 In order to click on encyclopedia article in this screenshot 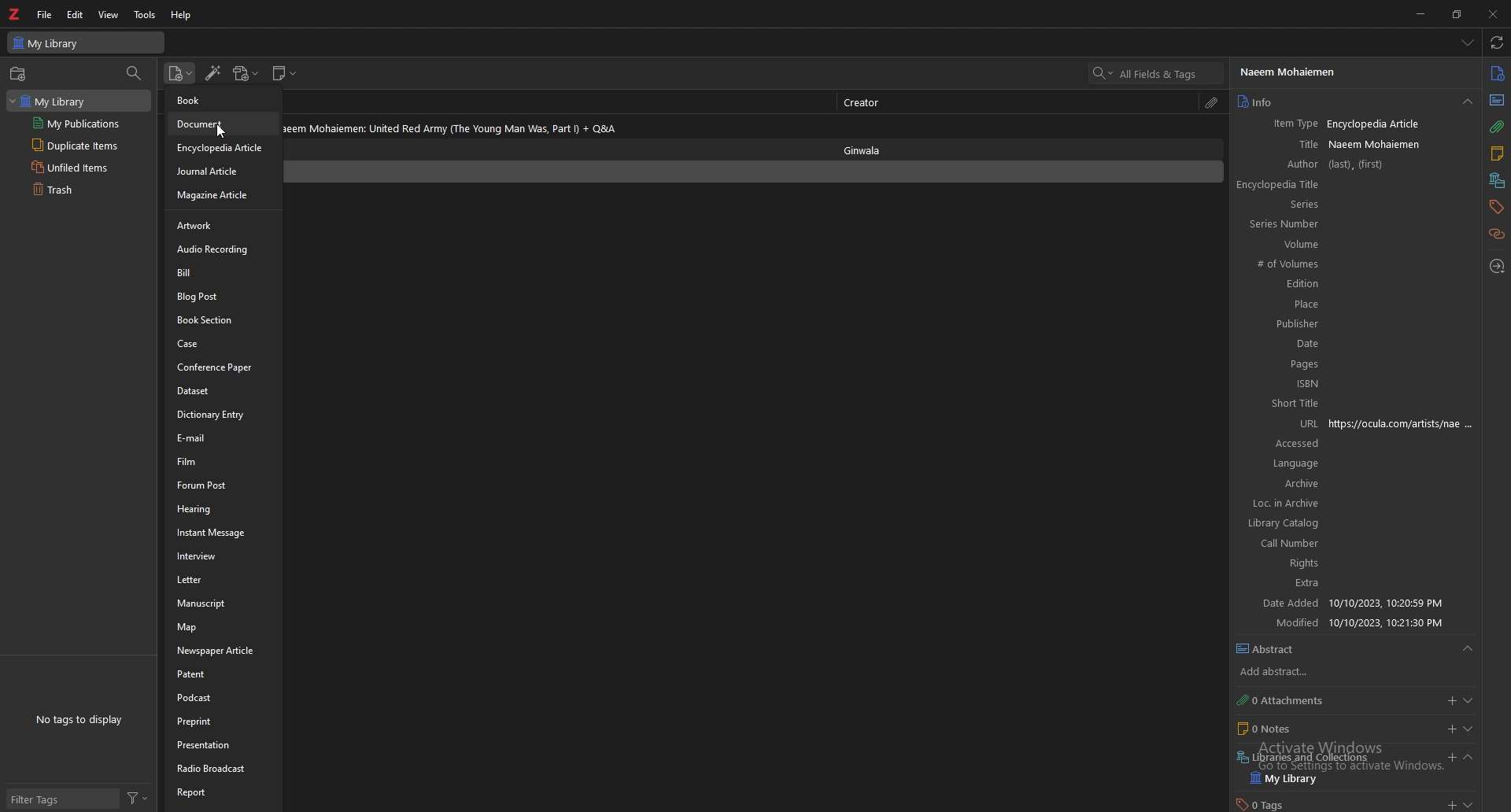, I will do `click(222, 149)`.